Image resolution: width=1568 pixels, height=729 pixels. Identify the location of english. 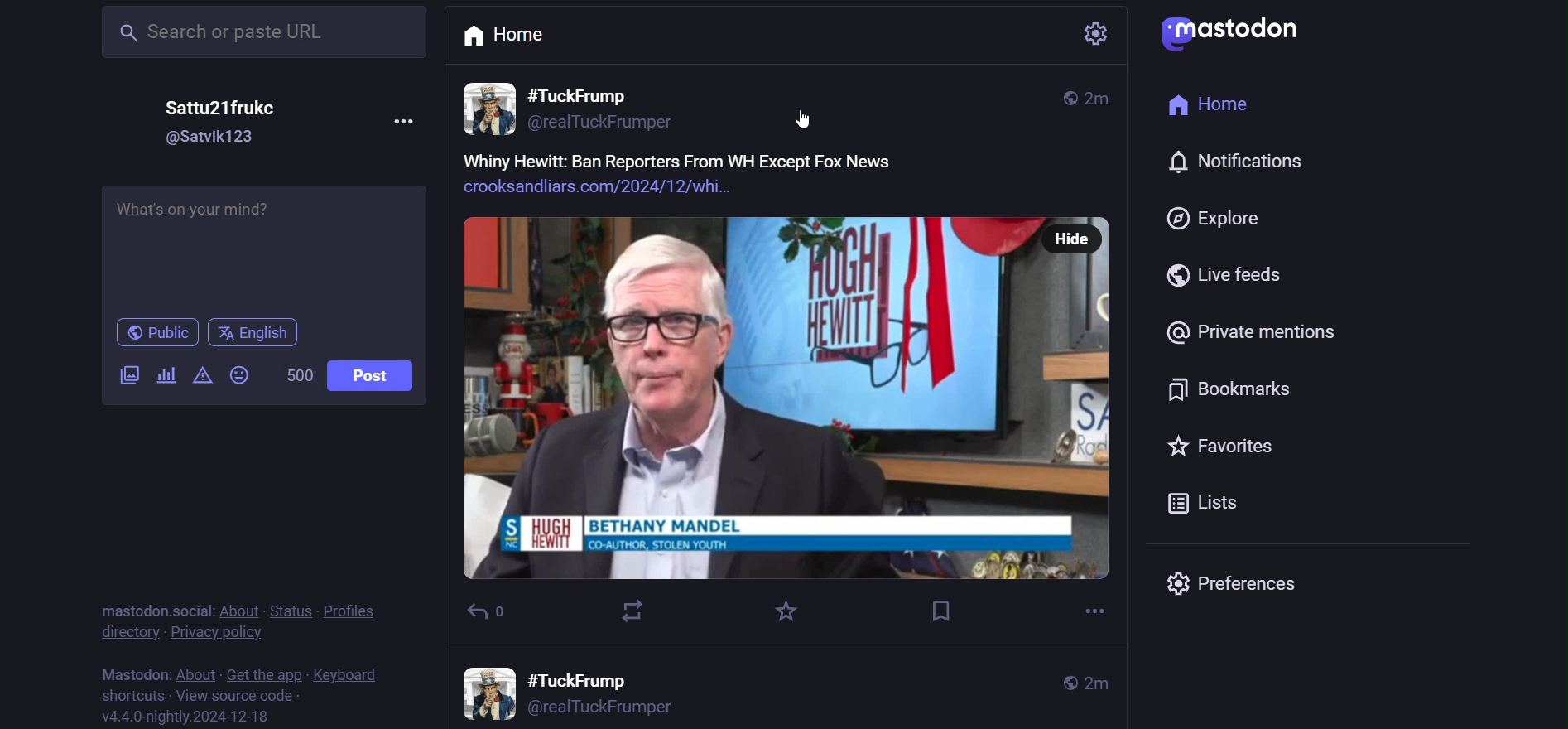
(257, 332).